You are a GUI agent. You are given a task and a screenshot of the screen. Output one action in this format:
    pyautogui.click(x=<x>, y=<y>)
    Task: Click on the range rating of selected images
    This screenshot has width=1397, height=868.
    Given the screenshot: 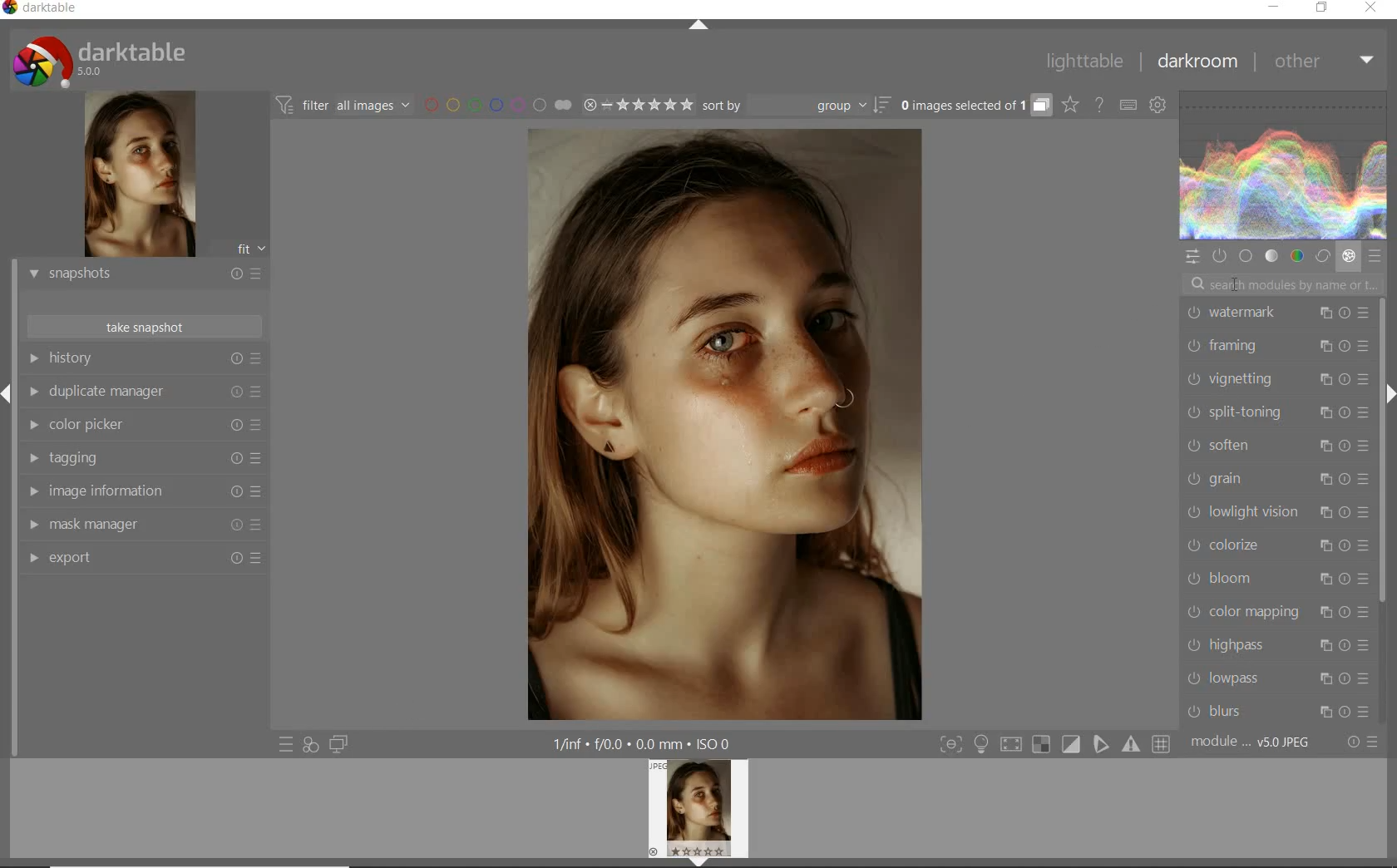 What is the action you would take?
    pyautogui.click(x=637, y=106)
    